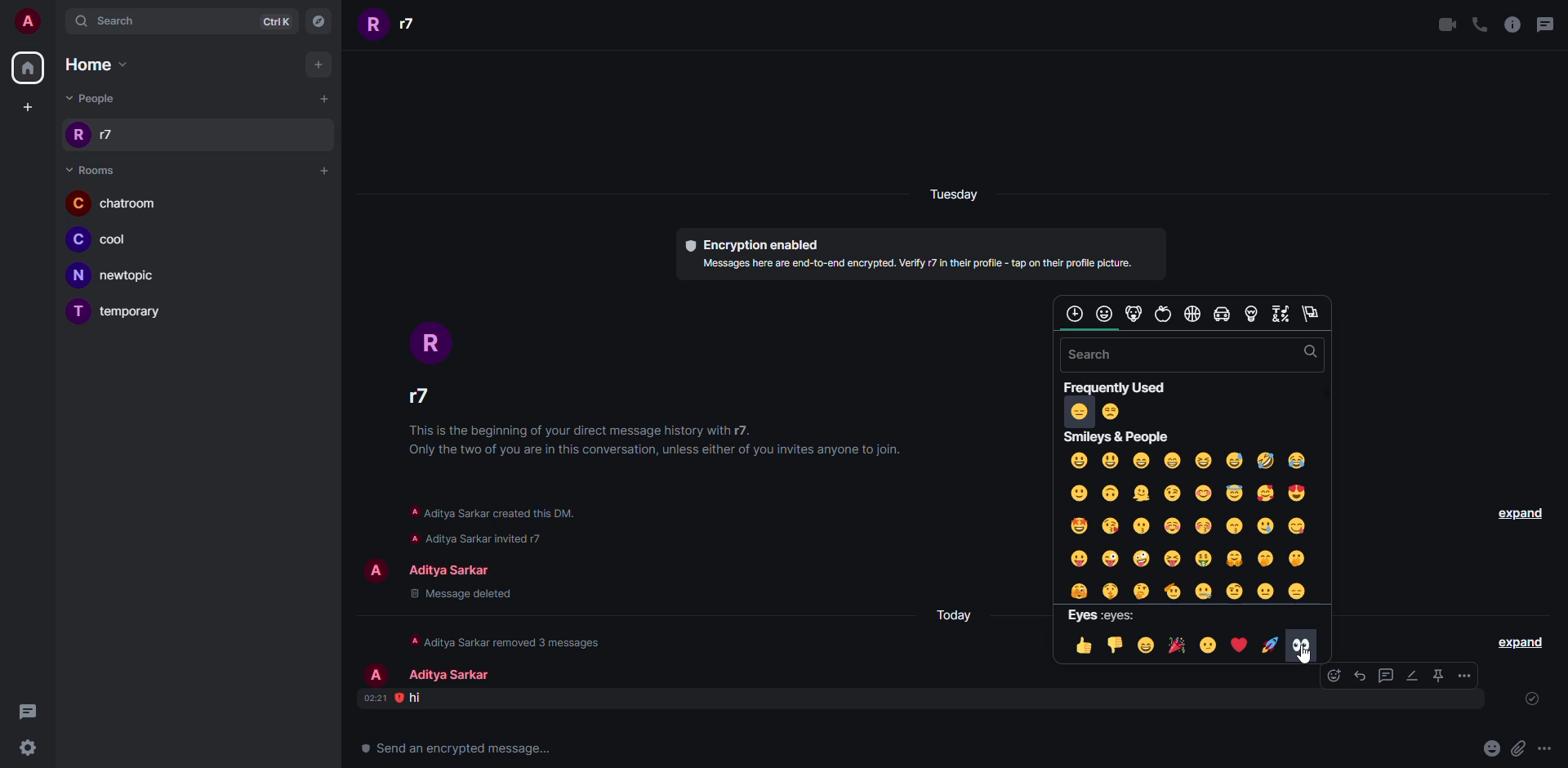 The width and height of the screenshot is (1568, 768). Describe the element at coordinates (114, 203) in the screenshot. I see `room` at that location.